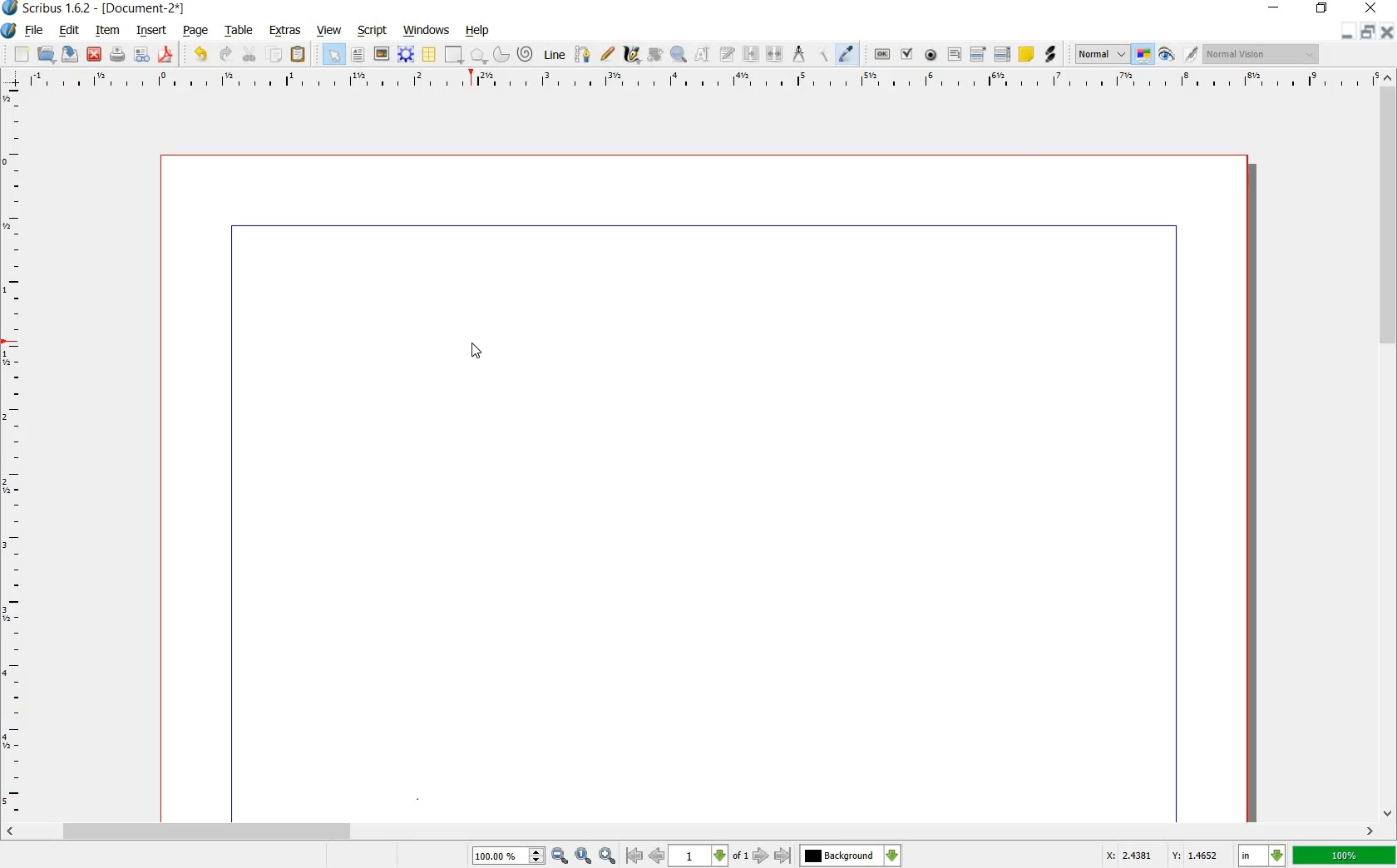 This screenshot has height=868, width=1397. Describe the element at coordinates (585, 55) in the screenshot. I see `BEZIER CURVE` at that location.